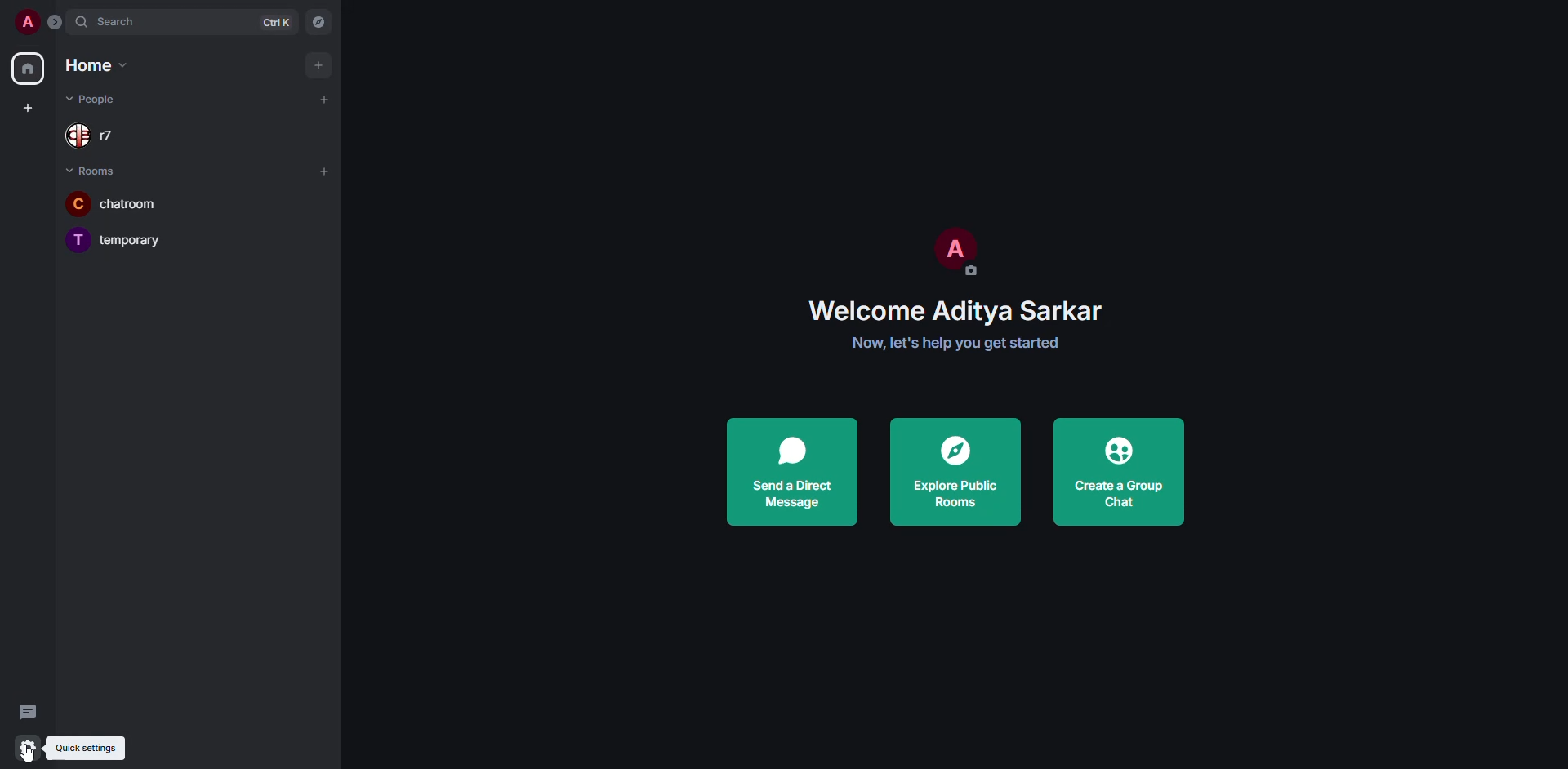  I want to click on ctrl K, so click(277, 23).